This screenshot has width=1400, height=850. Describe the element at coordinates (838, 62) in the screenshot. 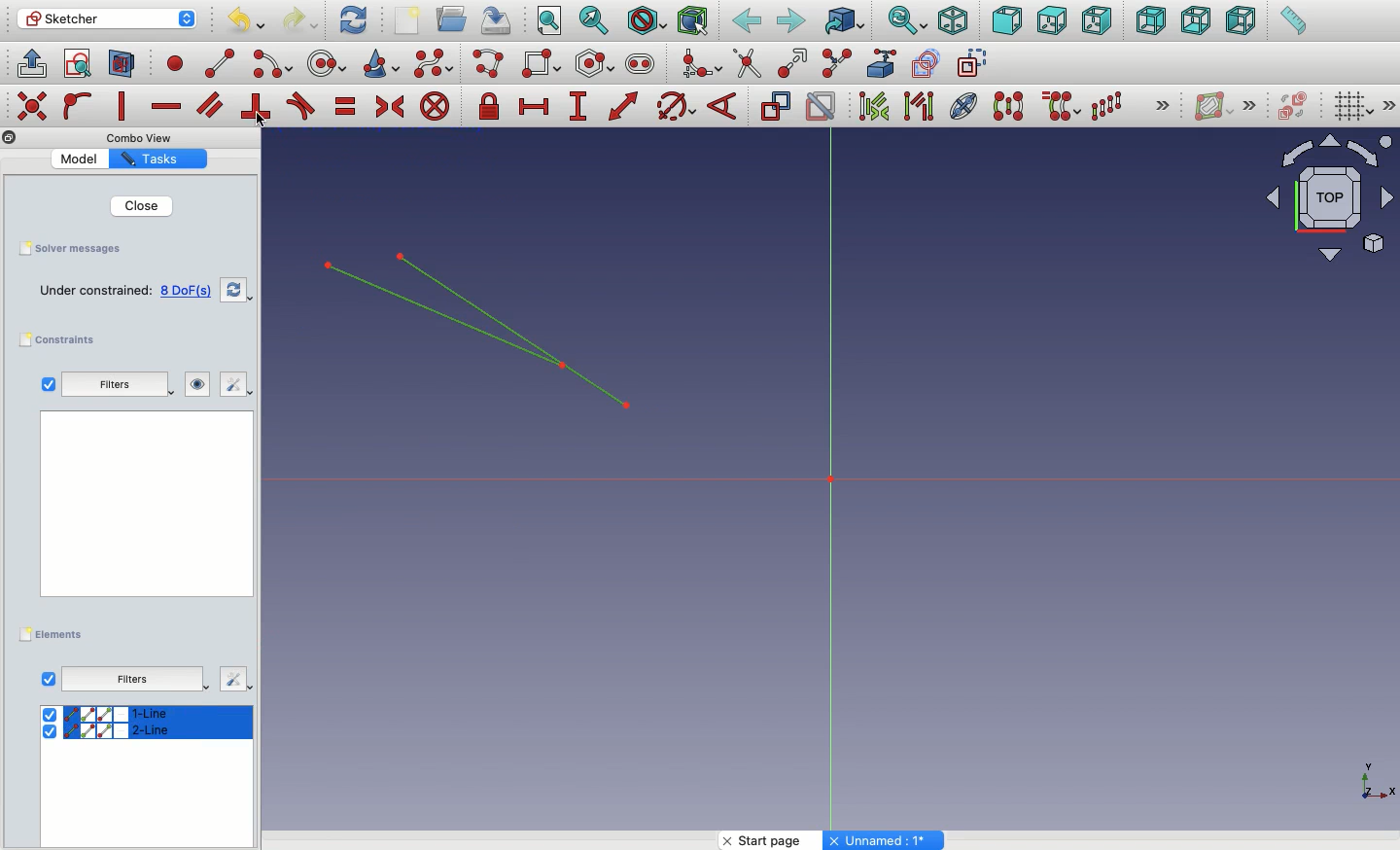

I see `Split edge` at that location.